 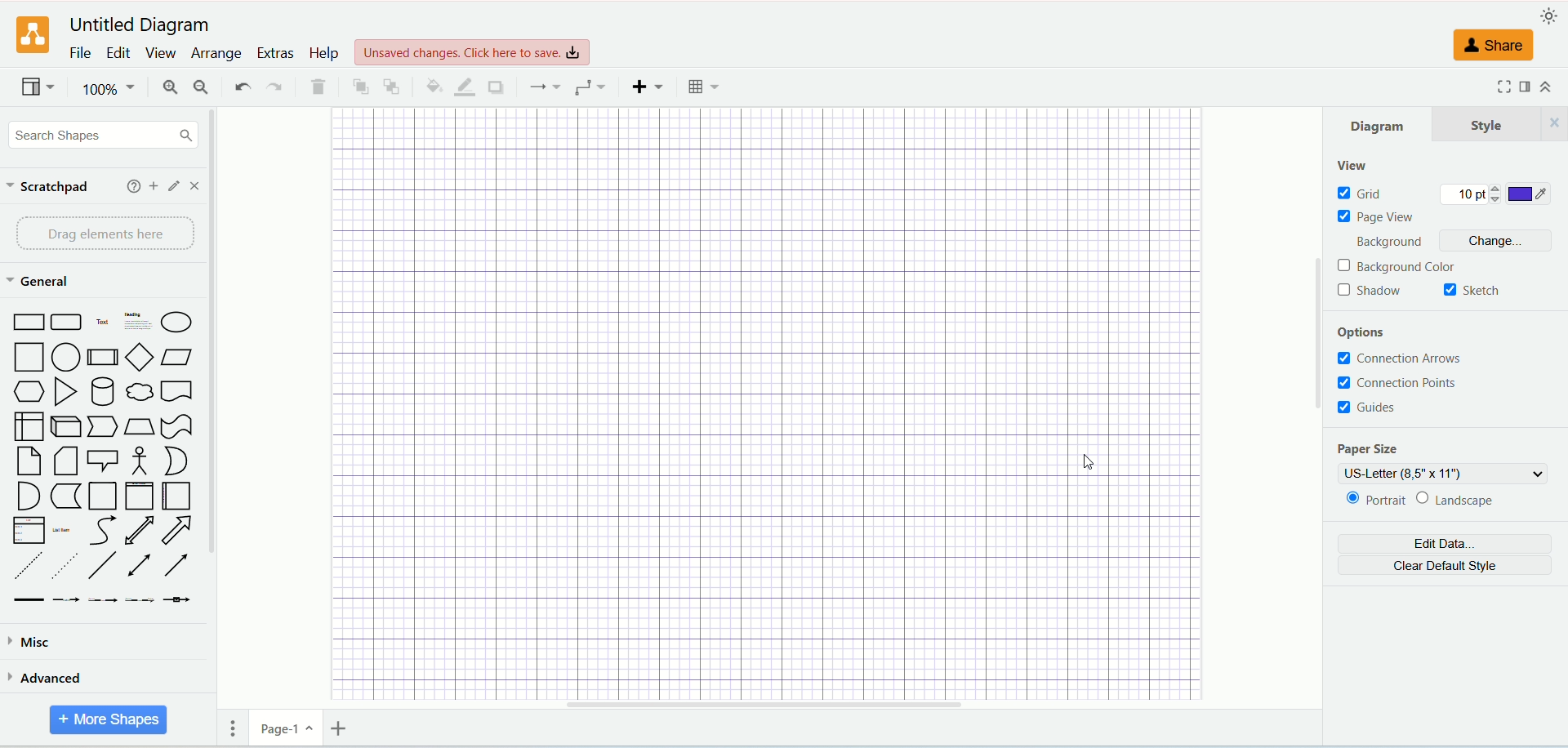 What do you see at coordinates (501, 88) in the screenshot?
I see `shadow` at bounding box center [501, 88].